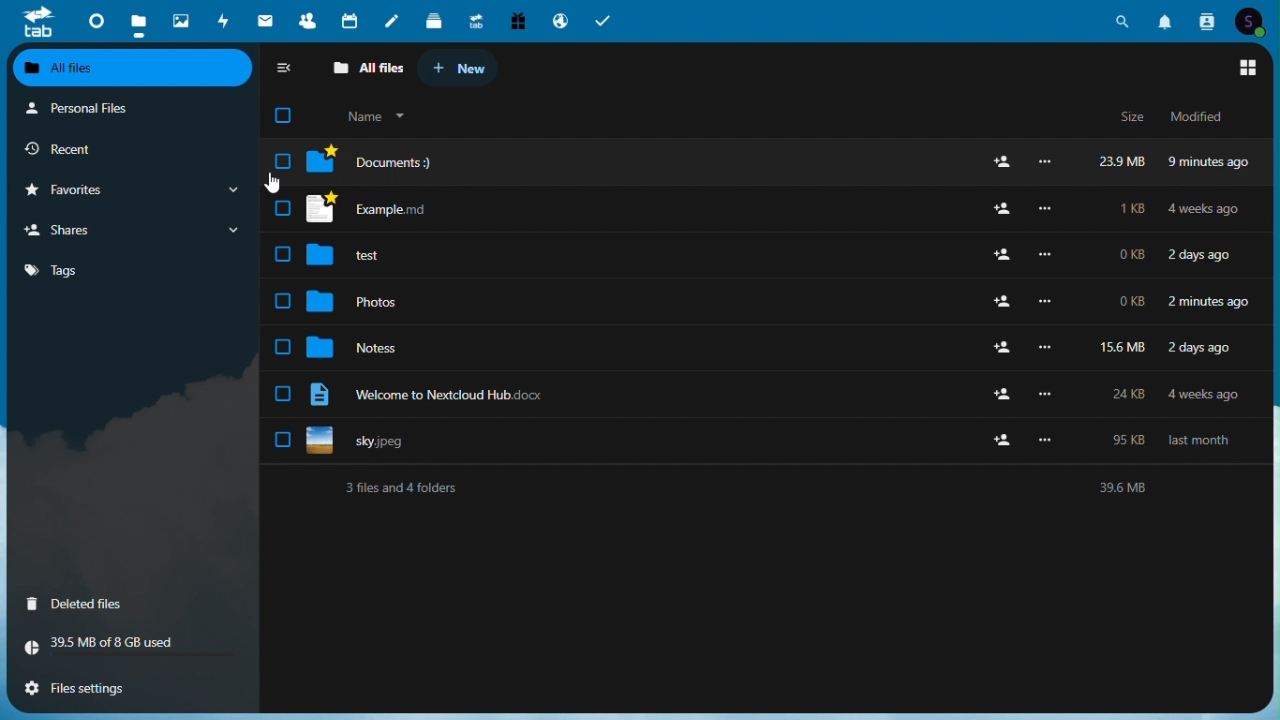  I want to click on select, so click(279, 442).